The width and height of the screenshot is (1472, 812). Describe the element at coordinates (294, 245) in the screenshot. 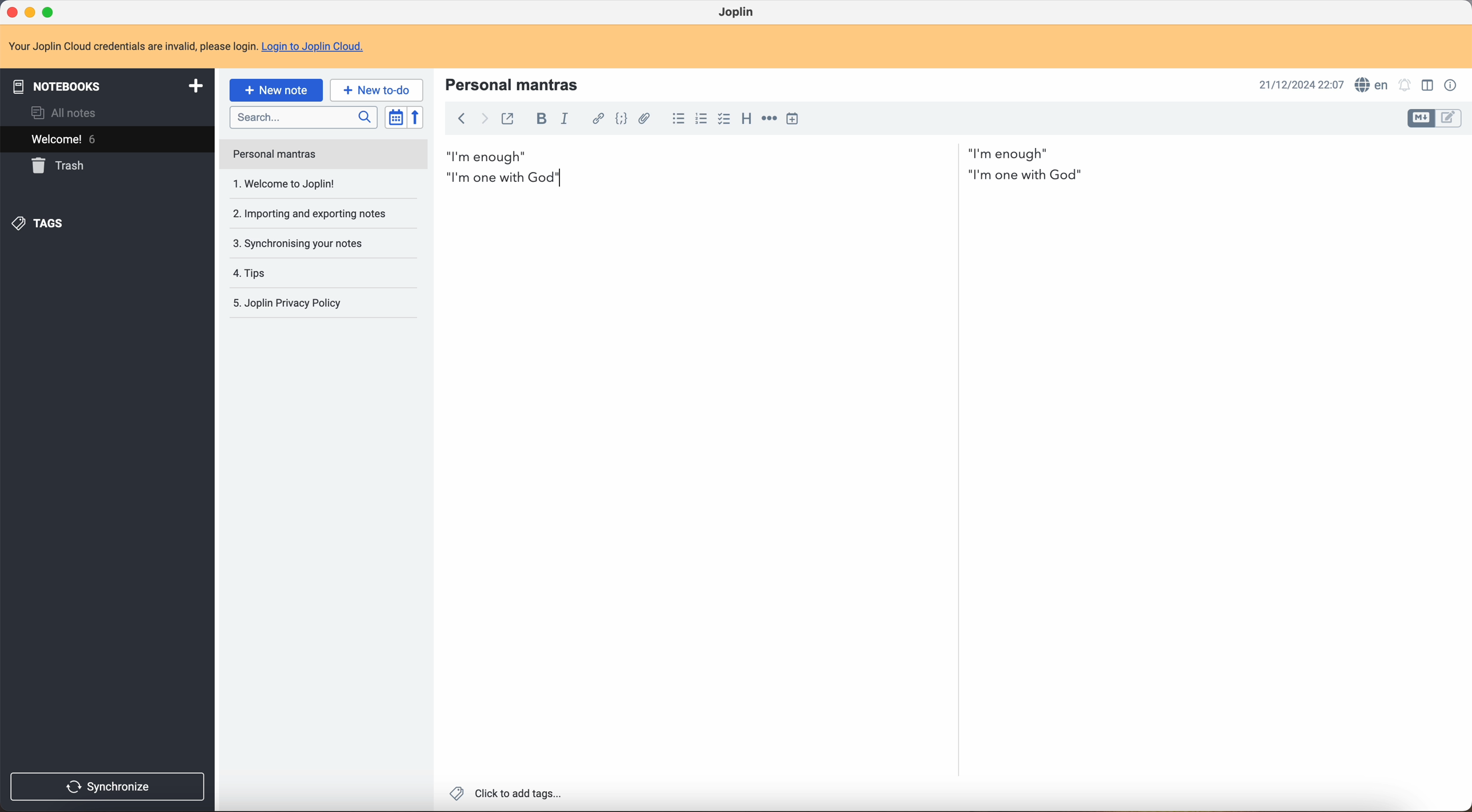

I see `tips` at that location.